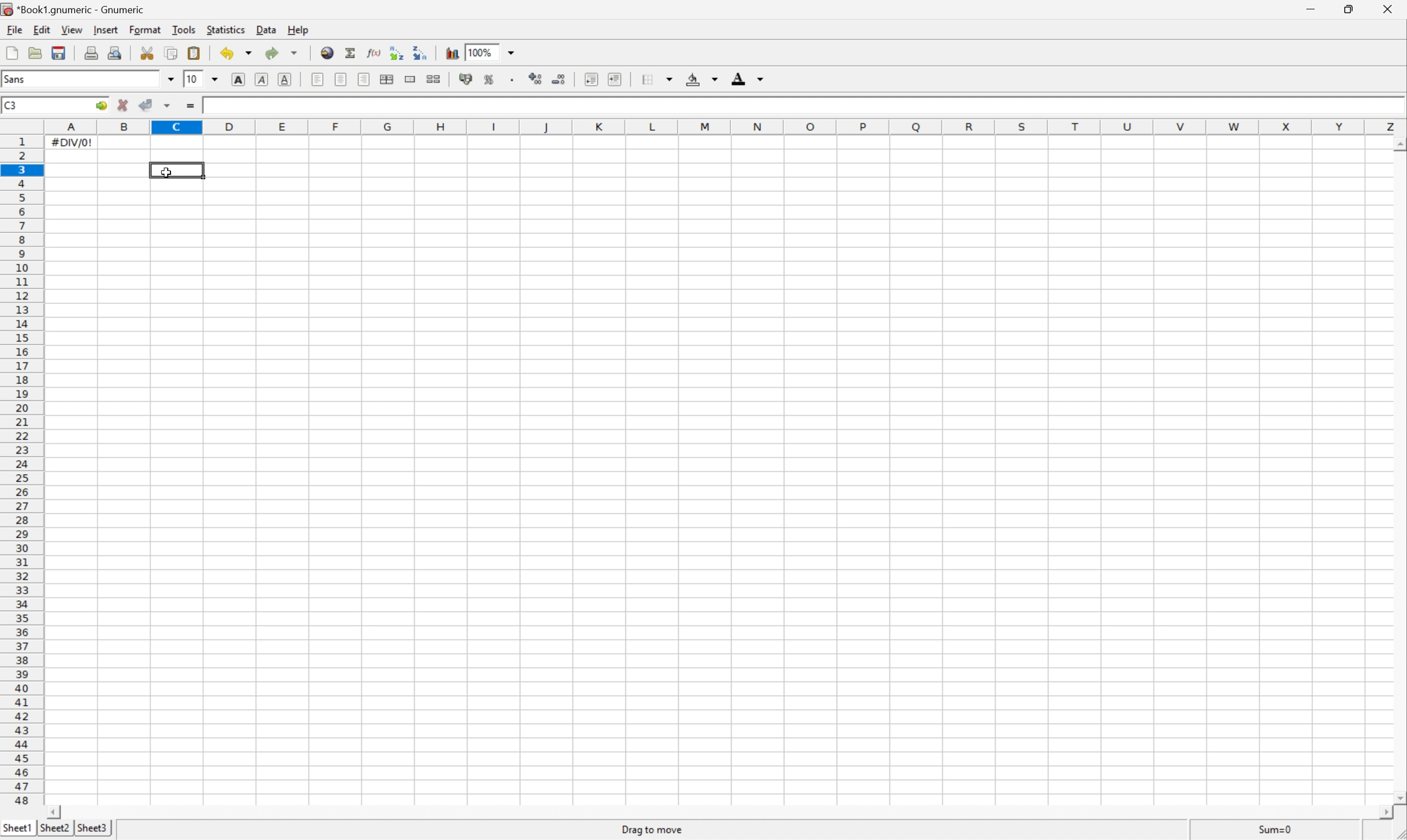  Describe the element at coordinates (716, 80) in the screenshot. I see `Drop down` at that location.